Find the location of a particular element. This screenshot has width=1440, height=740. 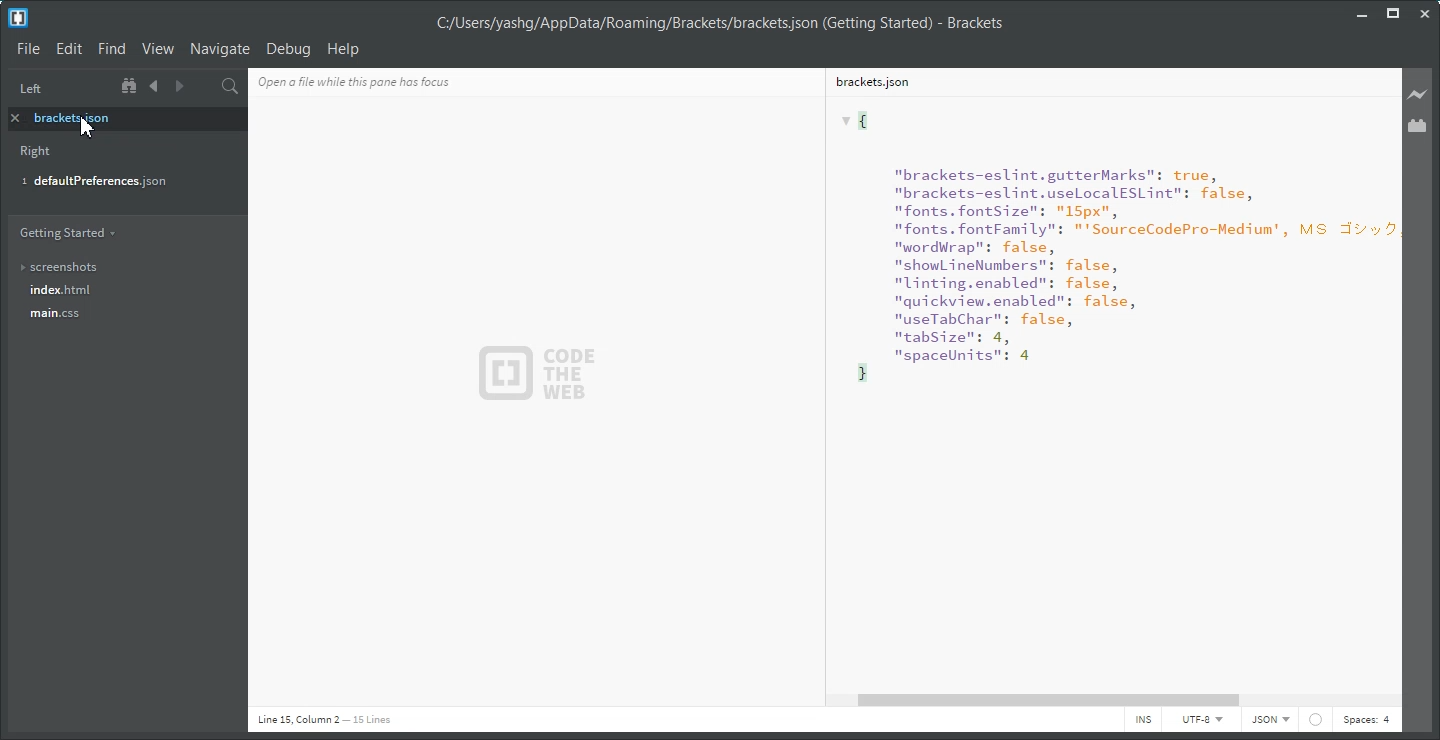

Find in File is located at coordinates (230, 86).